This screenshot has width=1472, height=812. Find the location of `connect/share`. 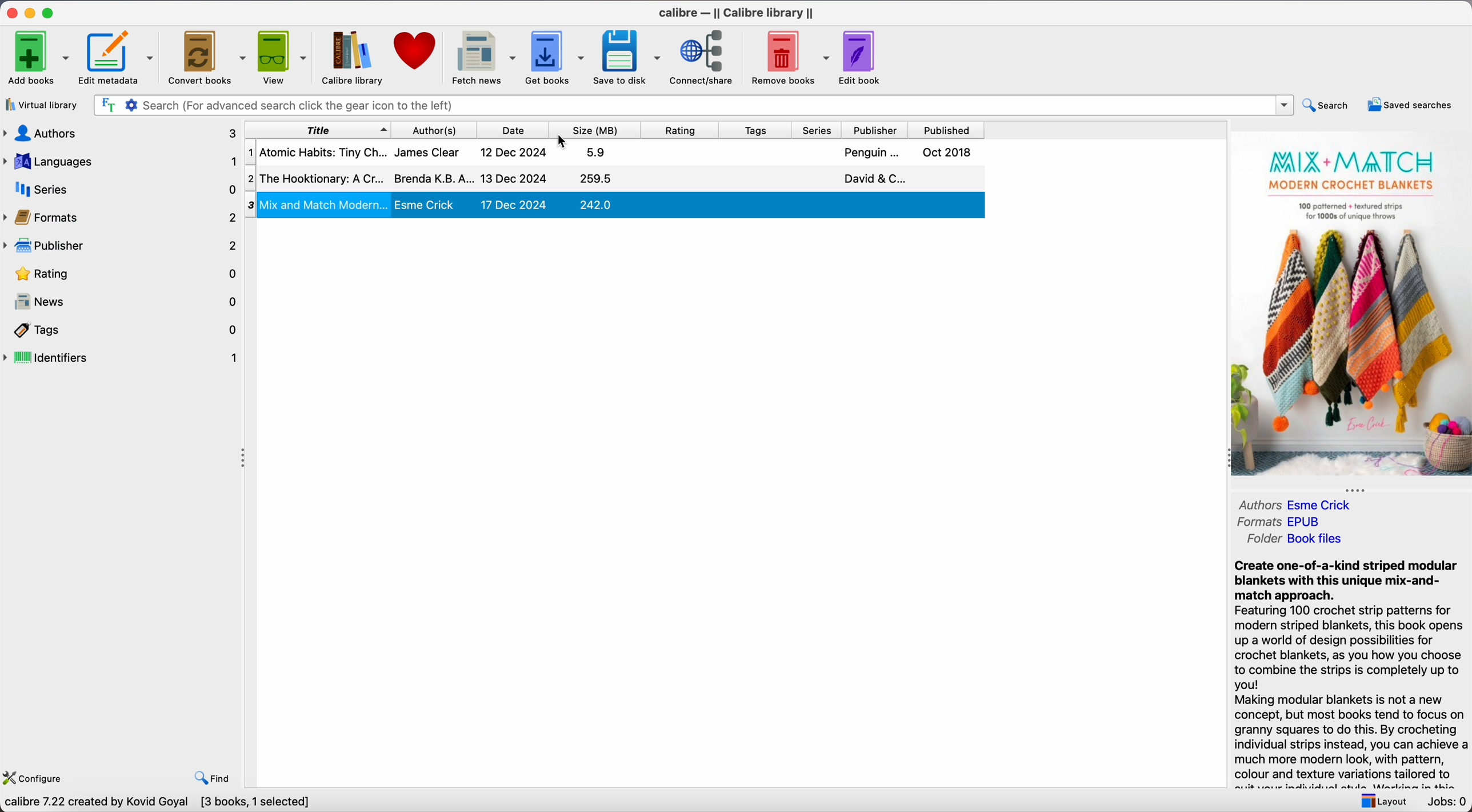

connect/share is located at coordinates (705, 58).